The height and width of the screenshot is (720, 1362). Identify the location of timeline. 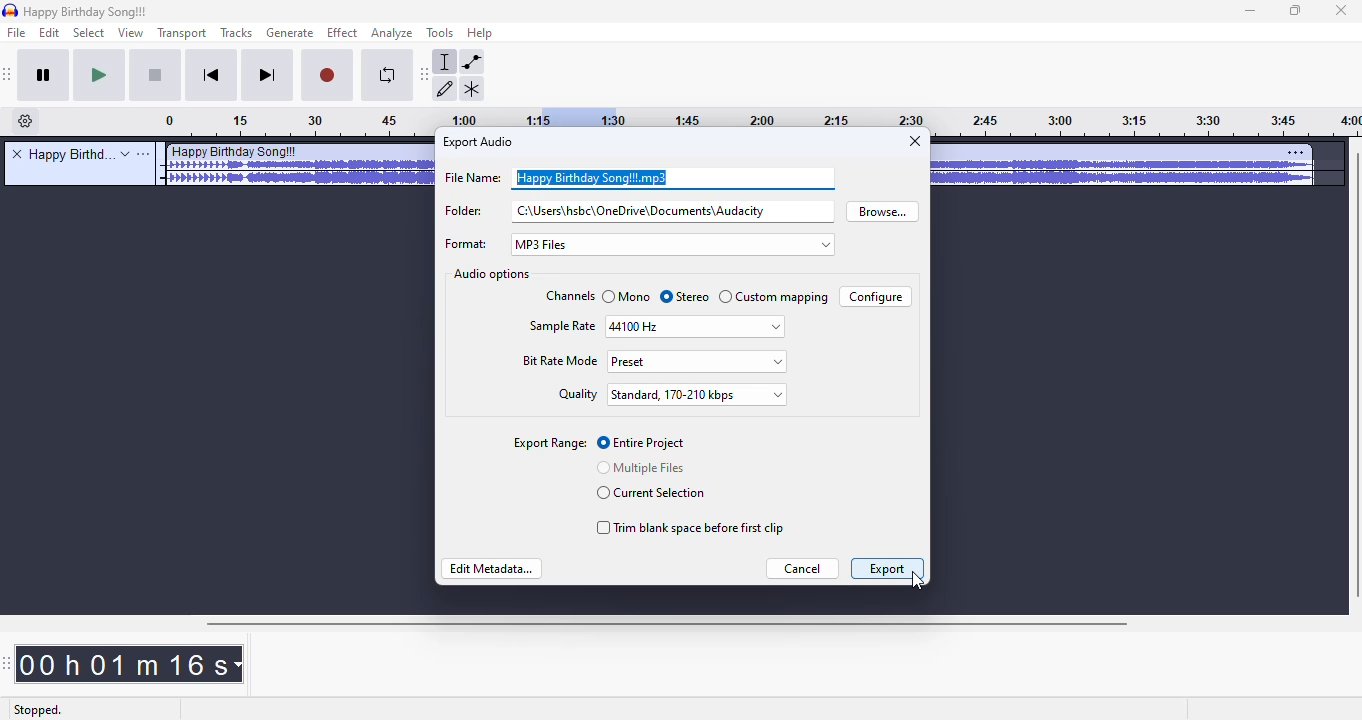
(1147, 124).